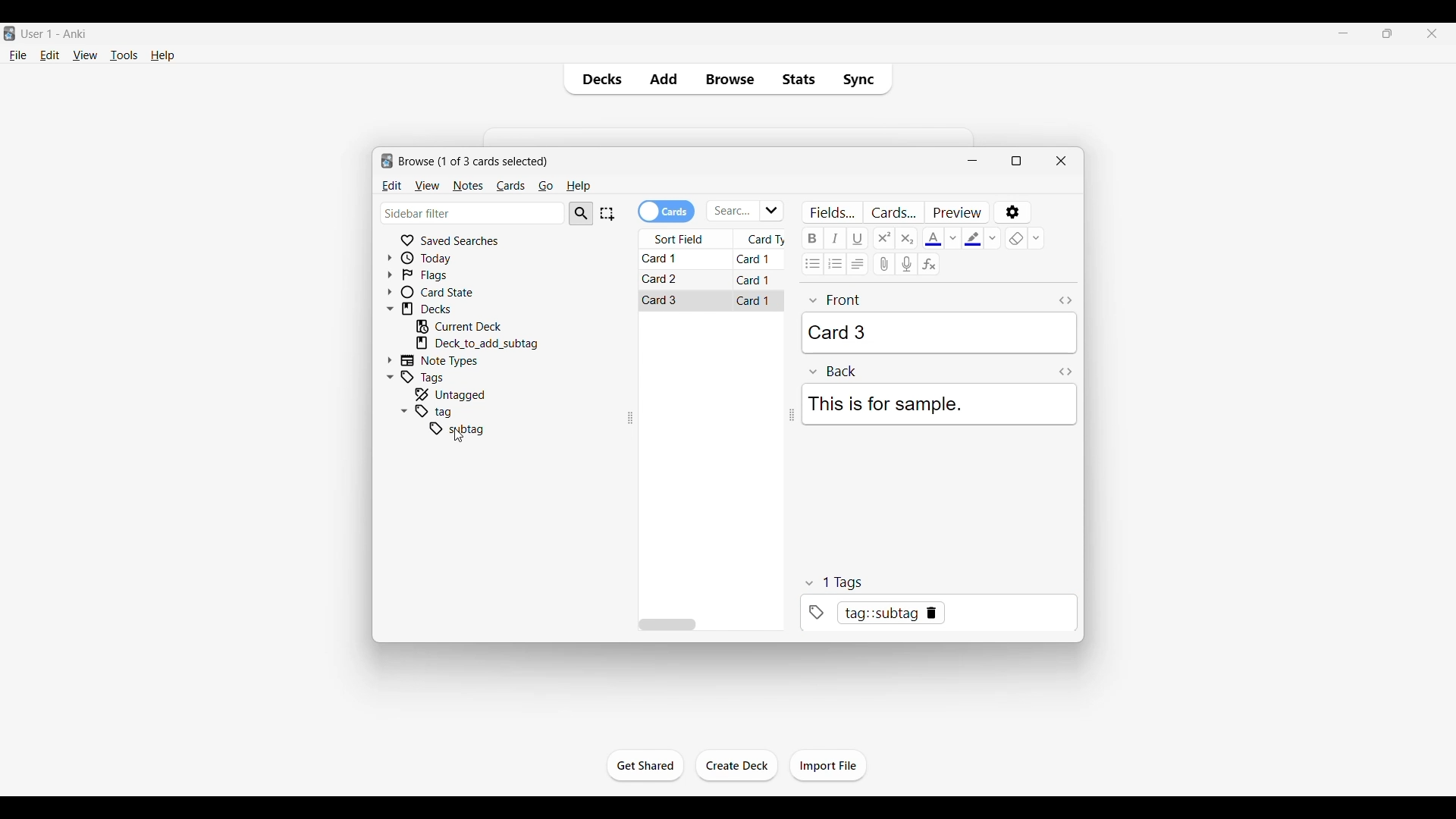  Describe the element at coordinates (449, 275) in the screenshot. I see `Click to go to Flags ` at that location.